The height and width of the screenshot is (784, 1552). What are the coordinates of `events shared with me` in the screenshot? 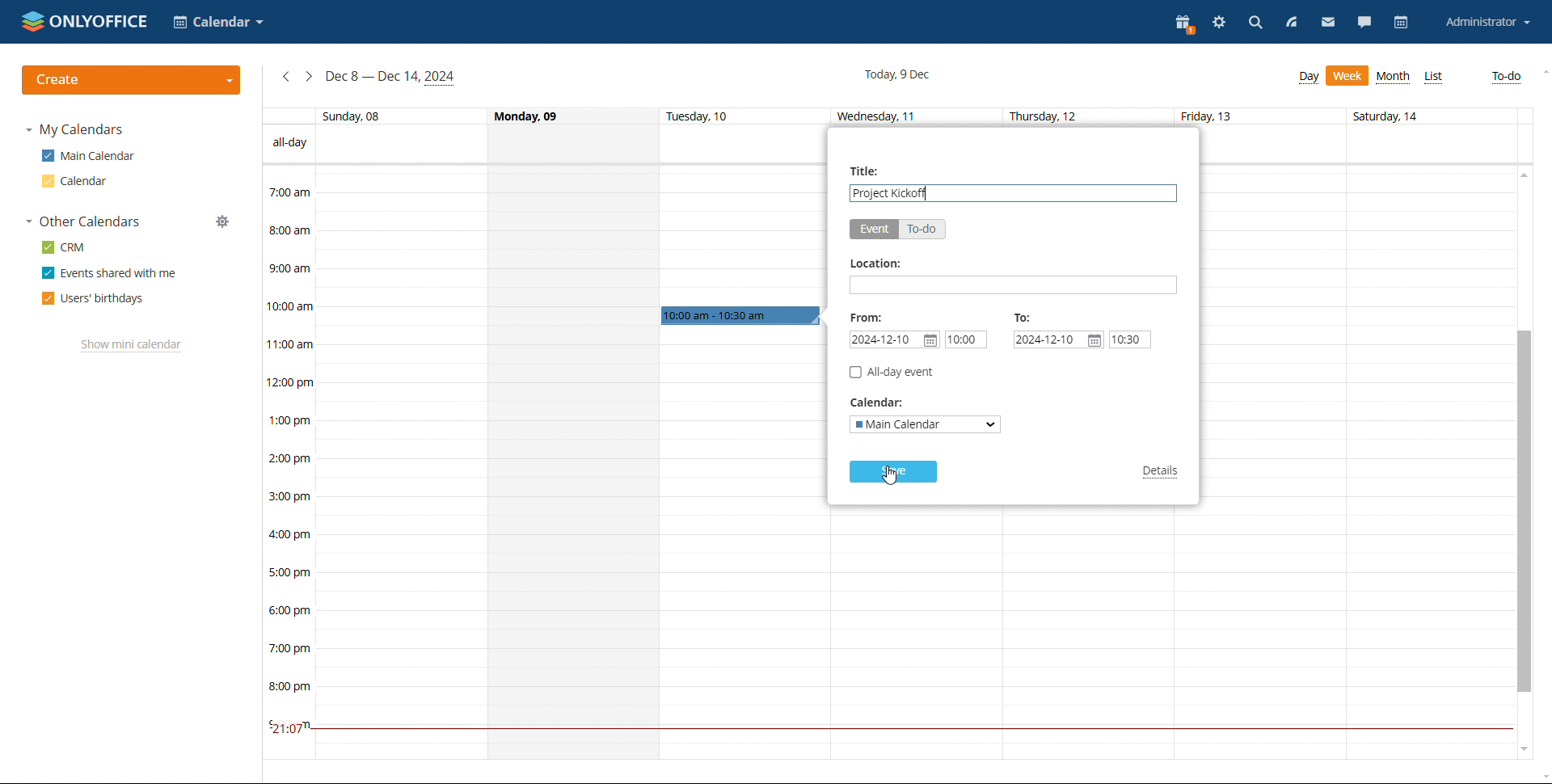 It's located at (110, 273).